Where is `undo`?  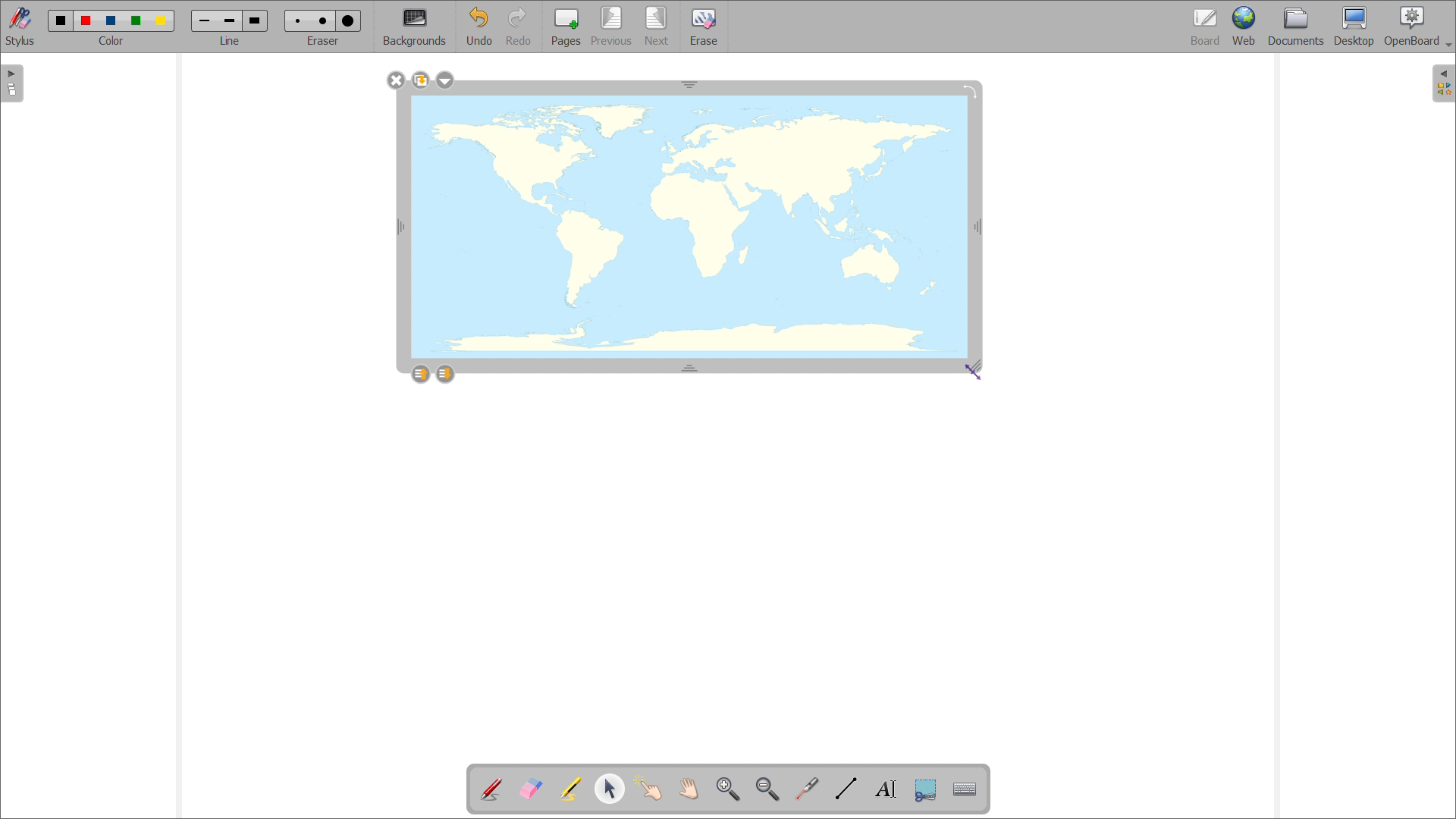
undo is located at coordinates (478, 26).